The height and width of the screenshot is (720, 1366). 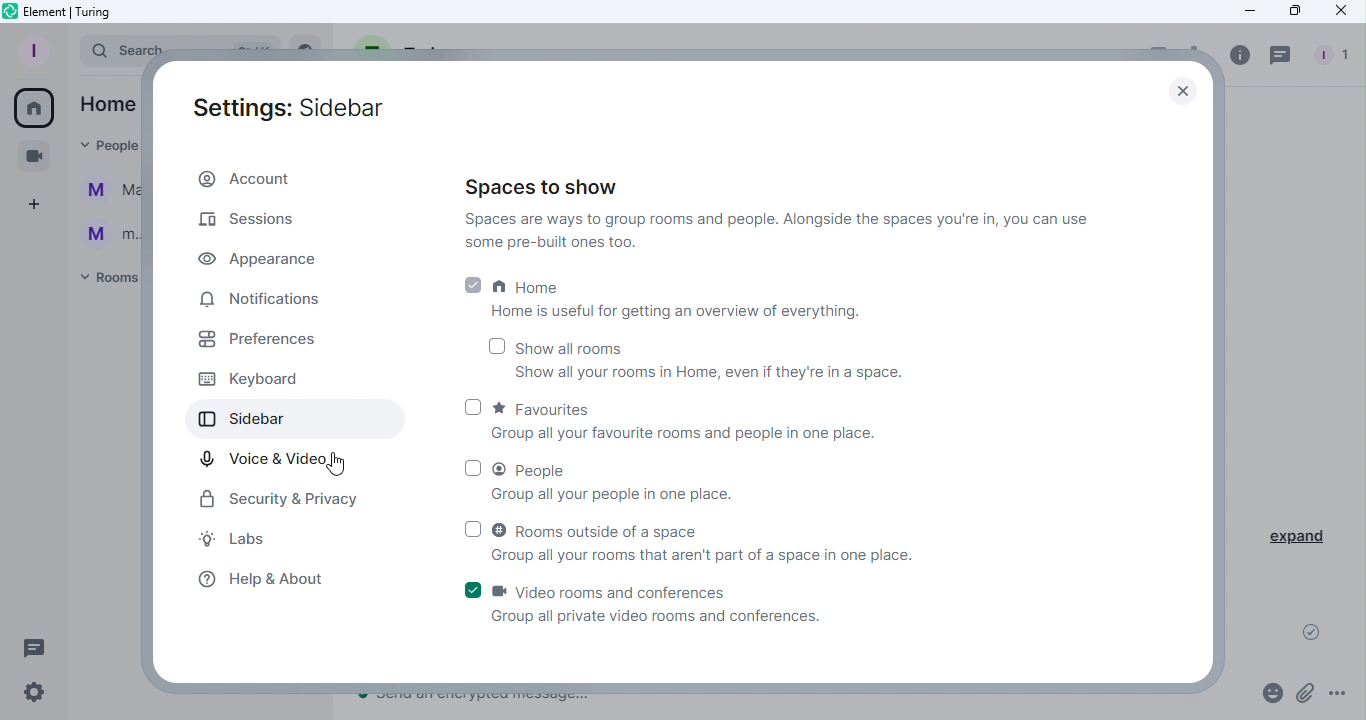 What do you see at coordinates (706, 543) in the screenshot?
I see `Rooms outside of a space` at bounding box center [706, 543].